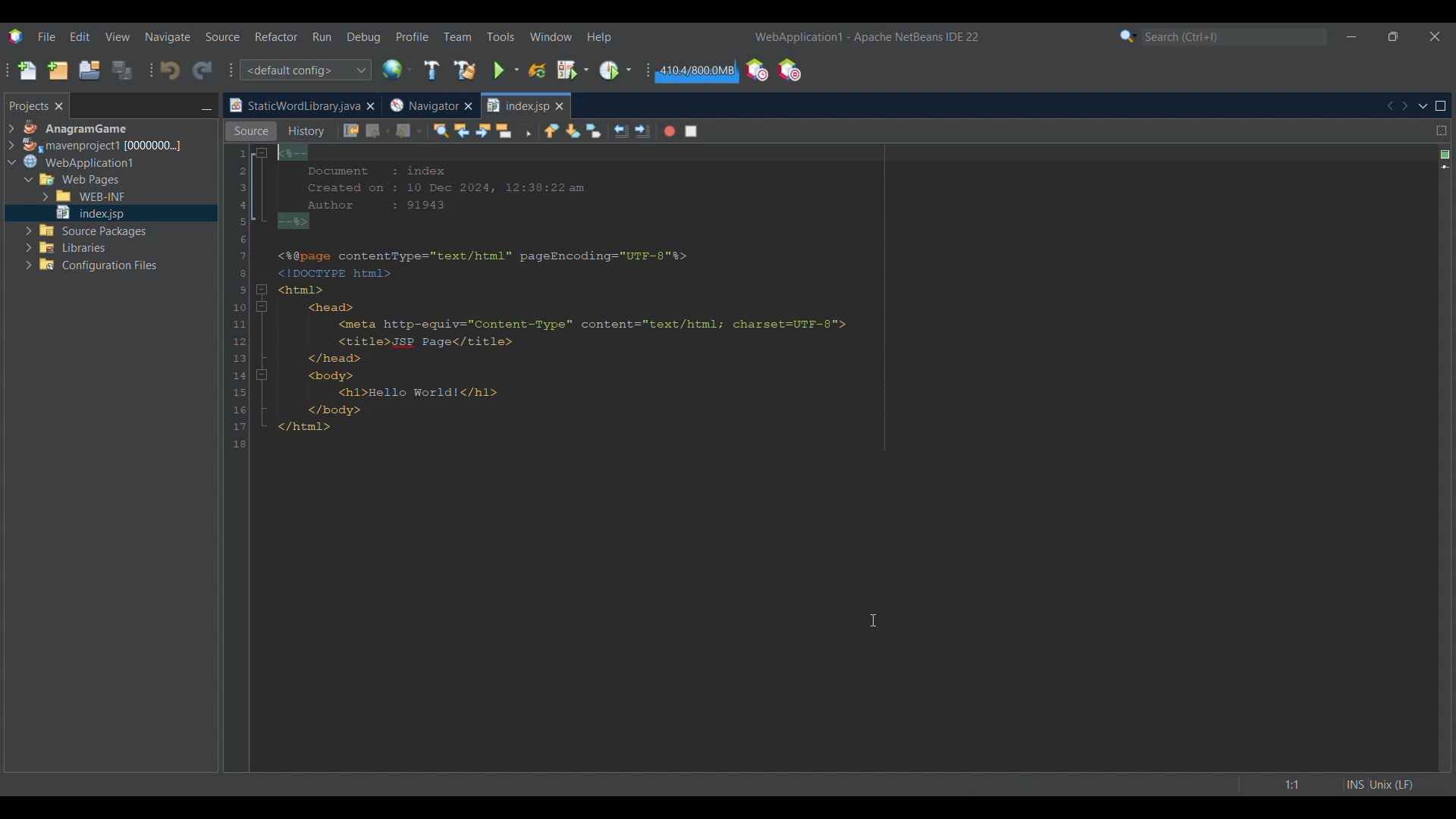 The height and width of the screenshot is (819, 1456). What do you see at coordinates (593, 130) in the screenshot?
I see `Toggle bookmarks` at bounding box center [593, 130].